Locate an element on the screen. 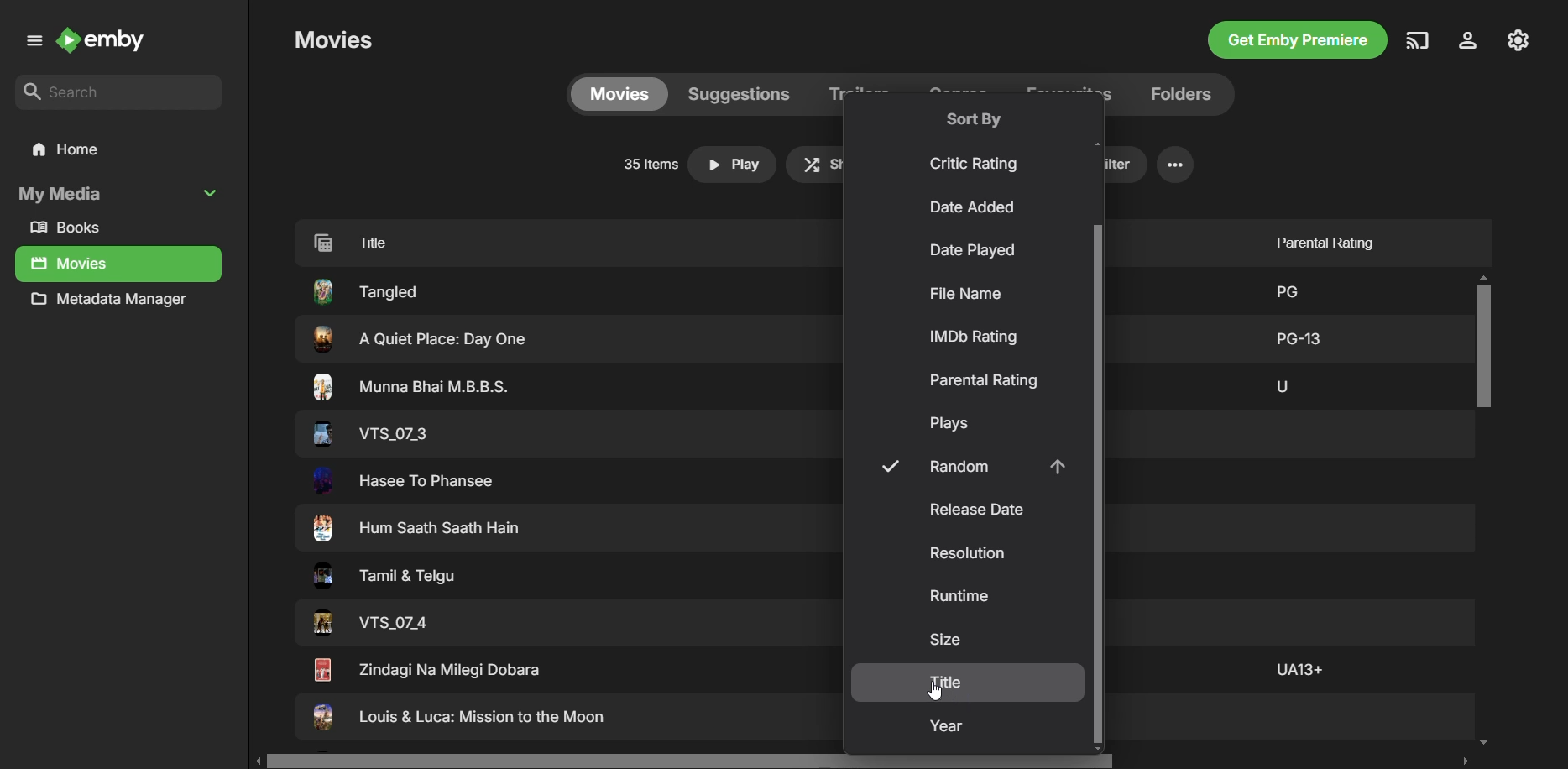 The width and height of the screenshot is (1568, 769). Suggestions is located at coordinates (738, 93).